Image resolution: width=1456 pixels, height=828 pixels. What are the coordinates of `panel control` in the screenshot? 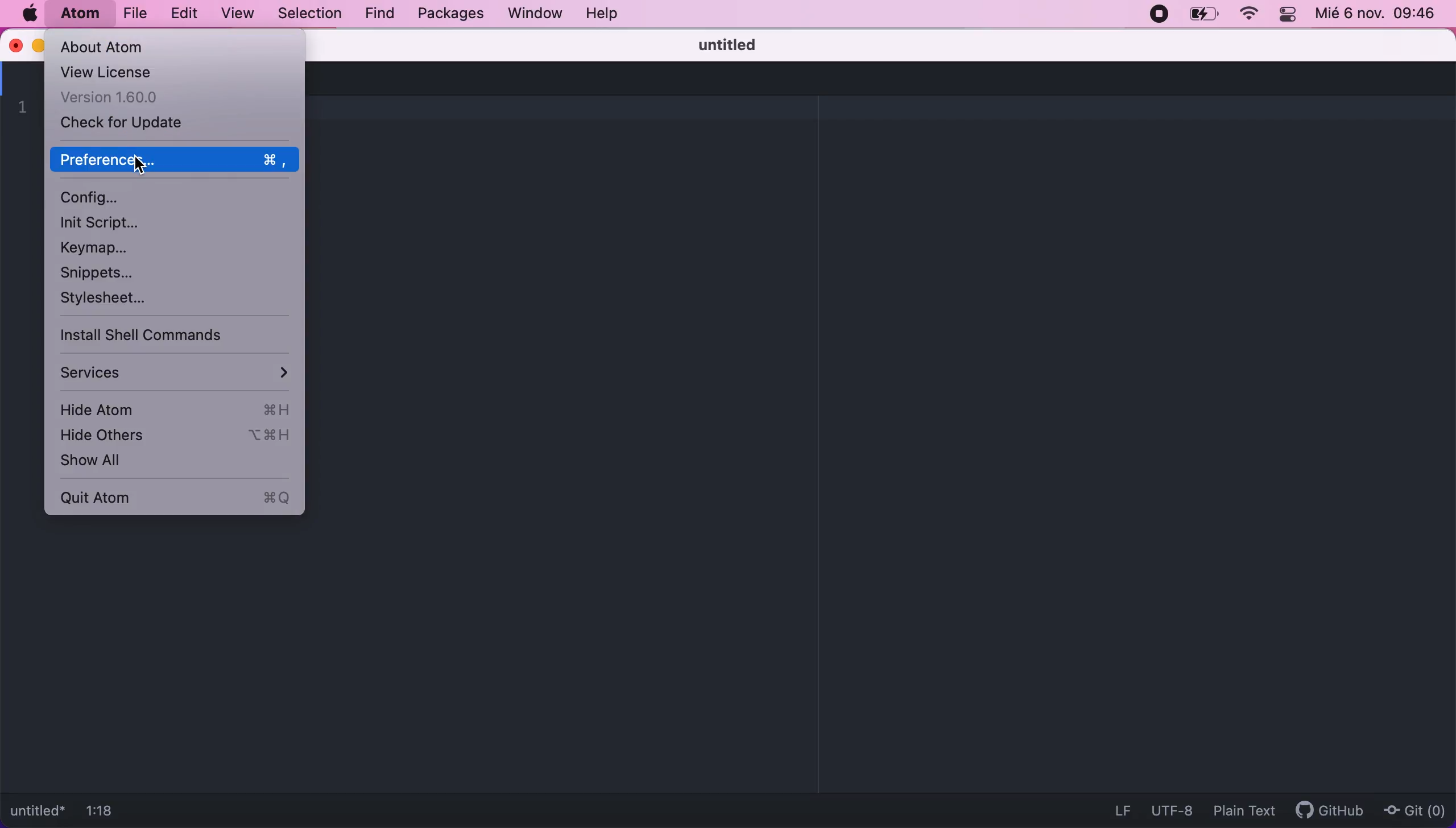 It's located at (1289, 15).